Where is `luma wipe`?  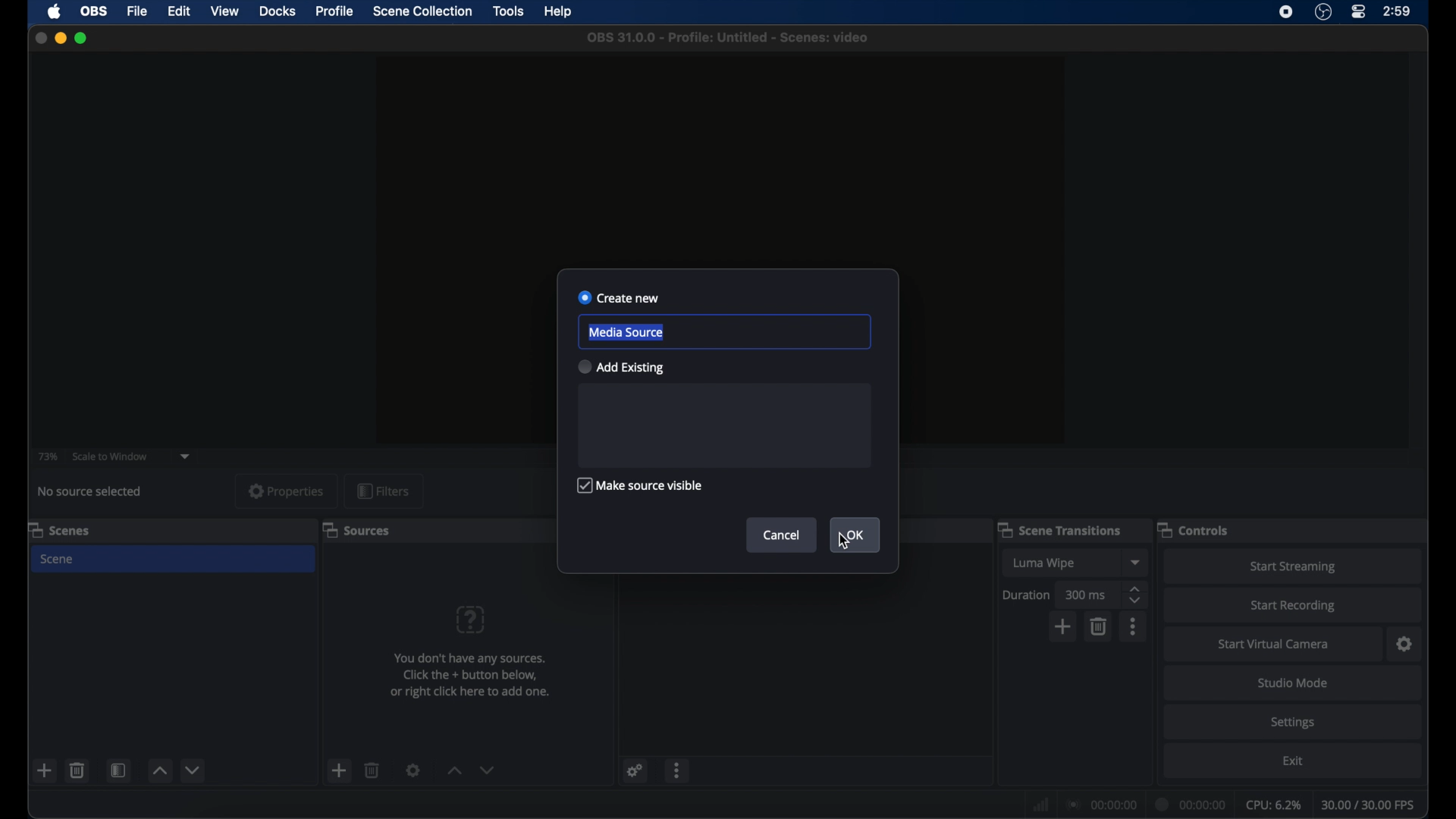 luma wipe is located at coordinates (1045, 563).